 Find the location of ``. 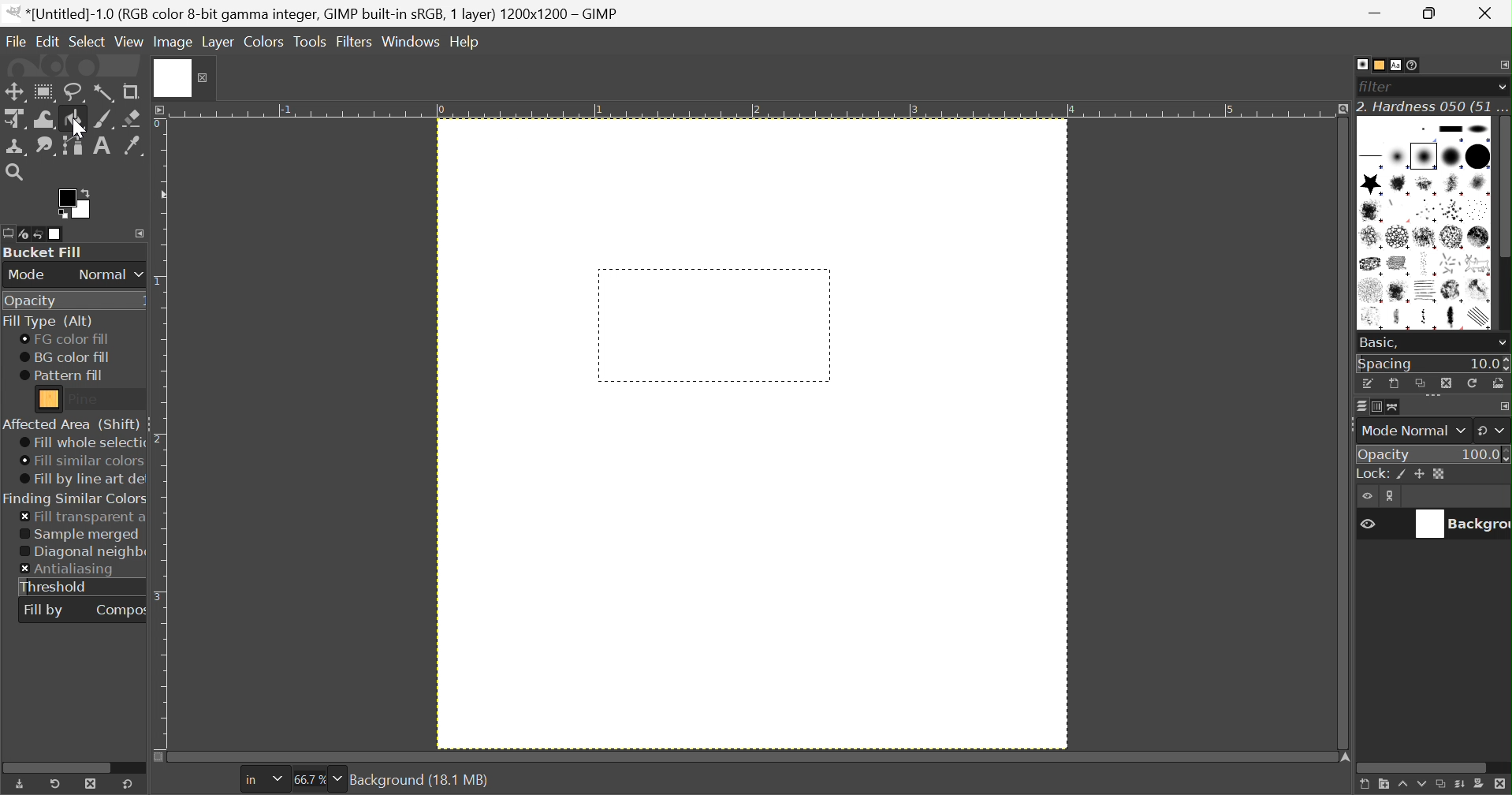

 is located at coordinates (1371, 474).